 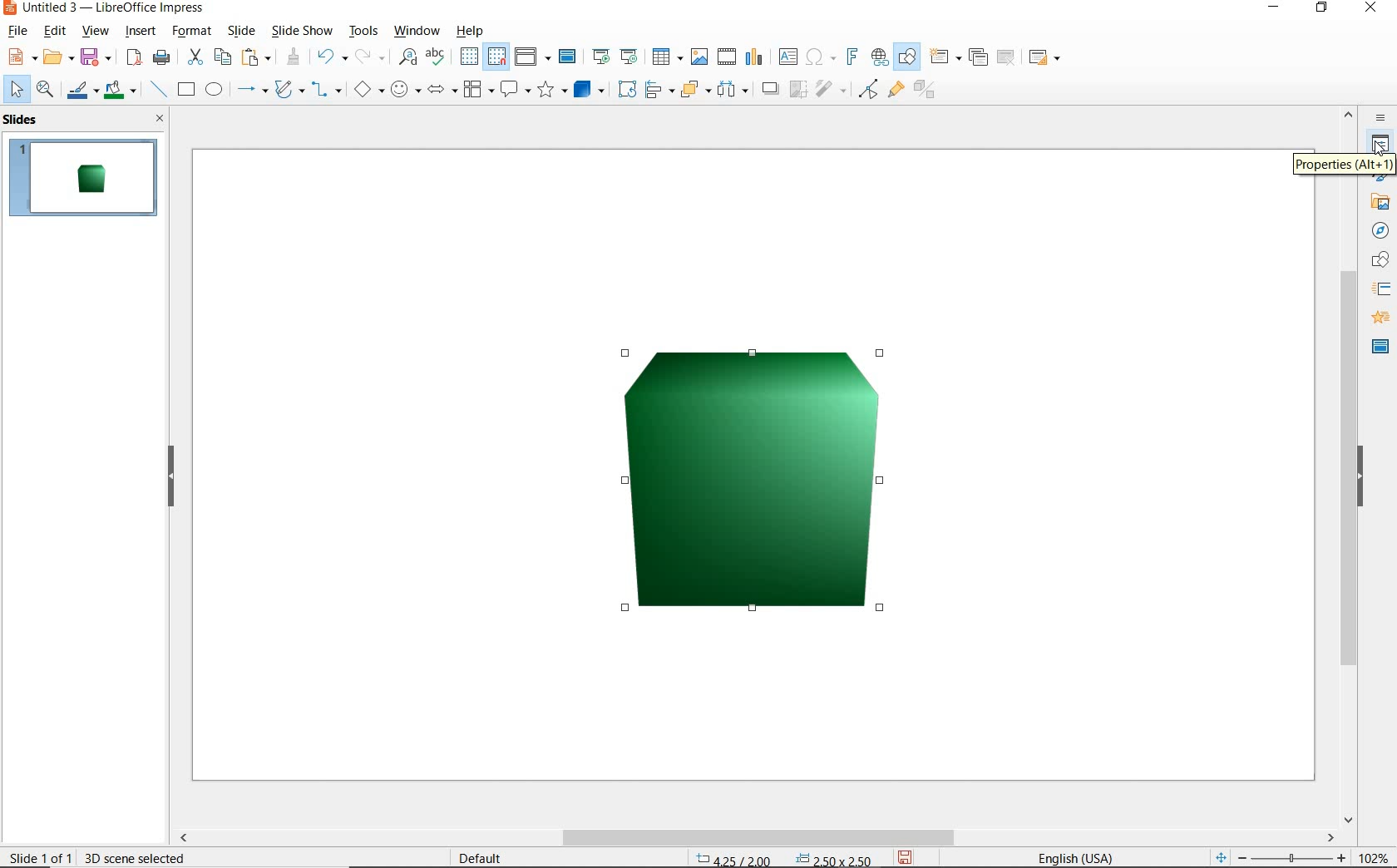 What do you see at coordinates (407, 89) in the screenshot?
I see `symbol shapes` at bounding box center [407, 89].